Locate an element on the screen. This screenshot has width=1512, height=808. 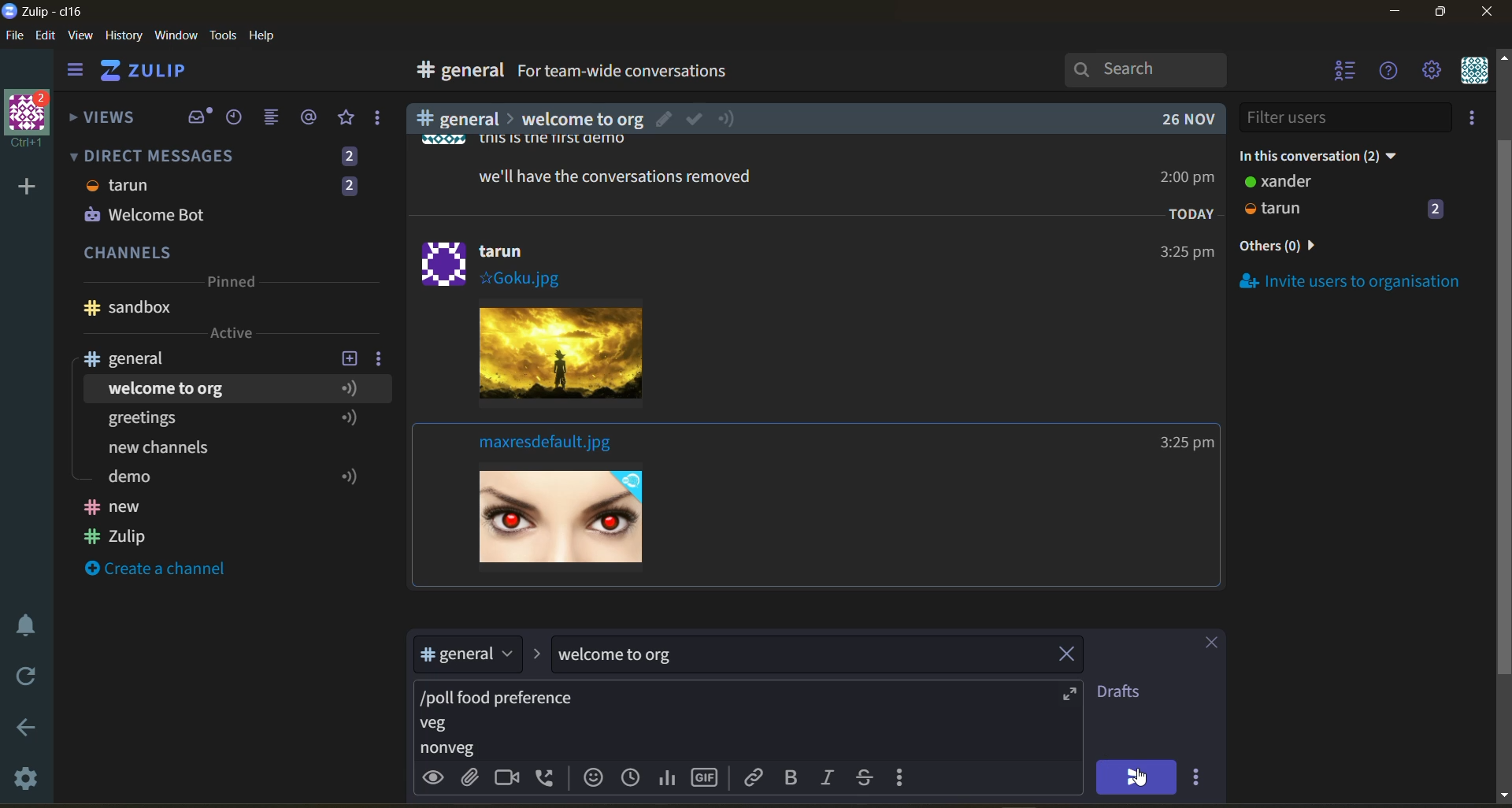
stream/channel is located at coordinates (472, 653).